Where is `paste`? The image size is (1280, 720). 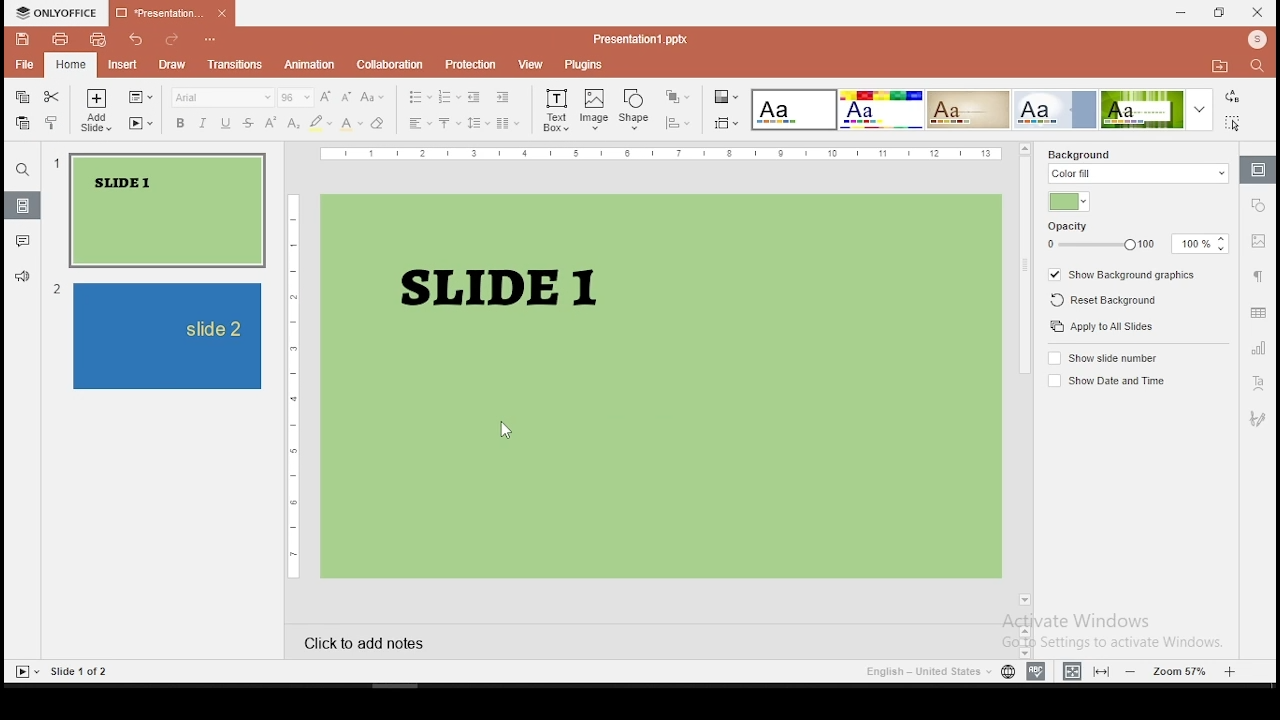
paste is located at coordinates (24, 124).